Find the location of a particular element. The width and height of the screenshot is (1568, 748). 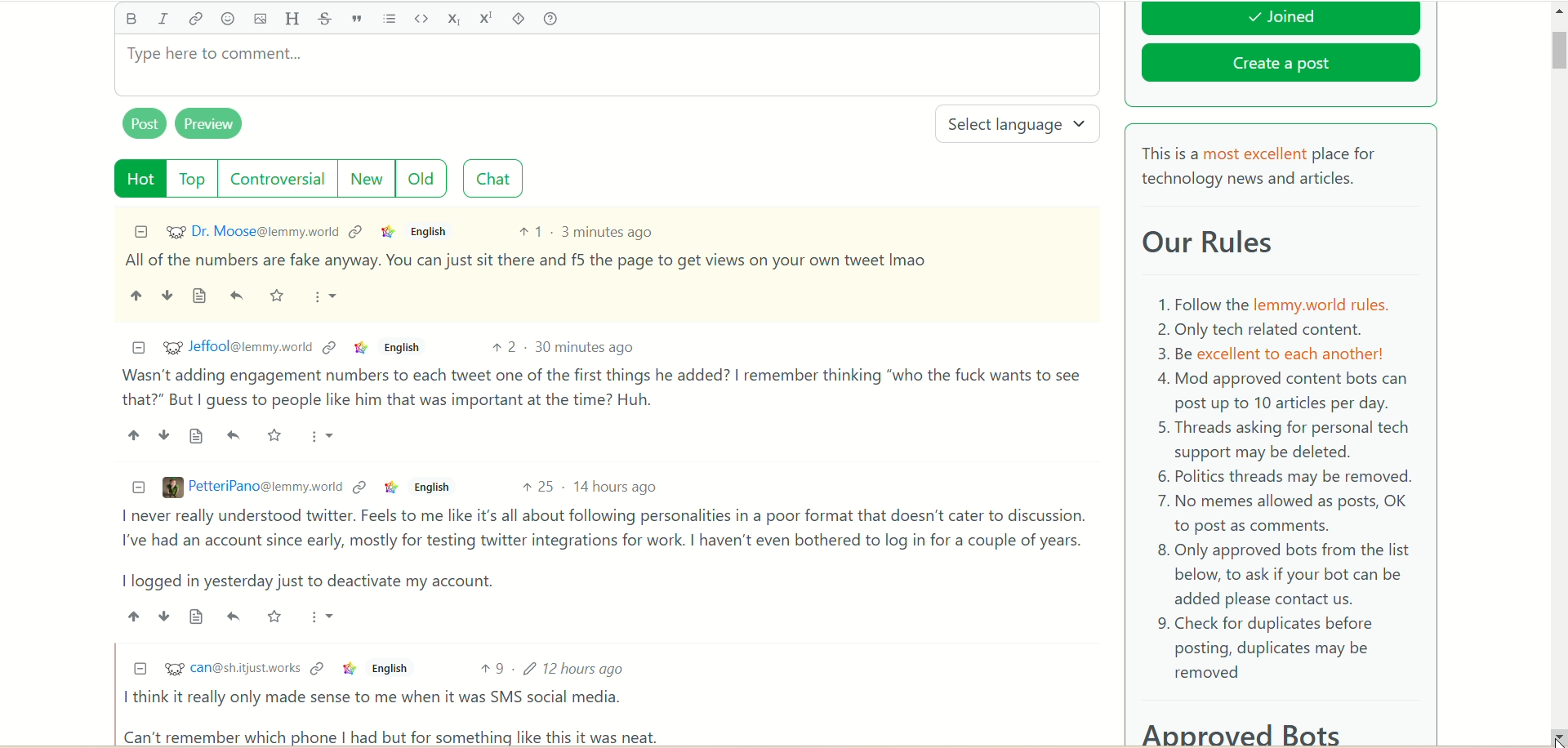

%P Jeffool@lemmy.world is located at coordinates (237, 346).